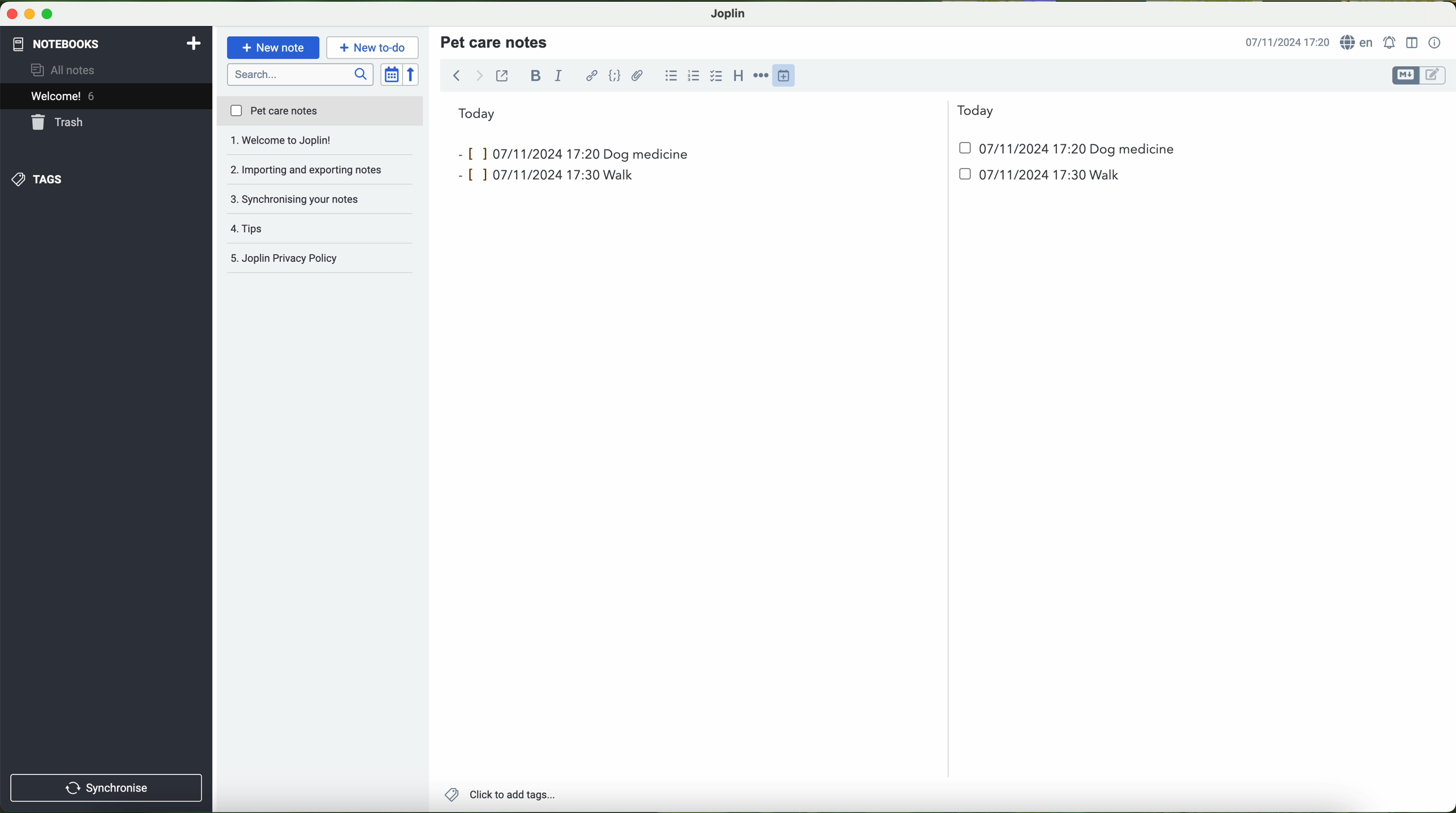 Image resolution: width=1456 pixels, height=813 pixels. What do you see at coordinates (669, 76) in the screenshot?
I see `bulleted list` at bounding box center [669, 76].